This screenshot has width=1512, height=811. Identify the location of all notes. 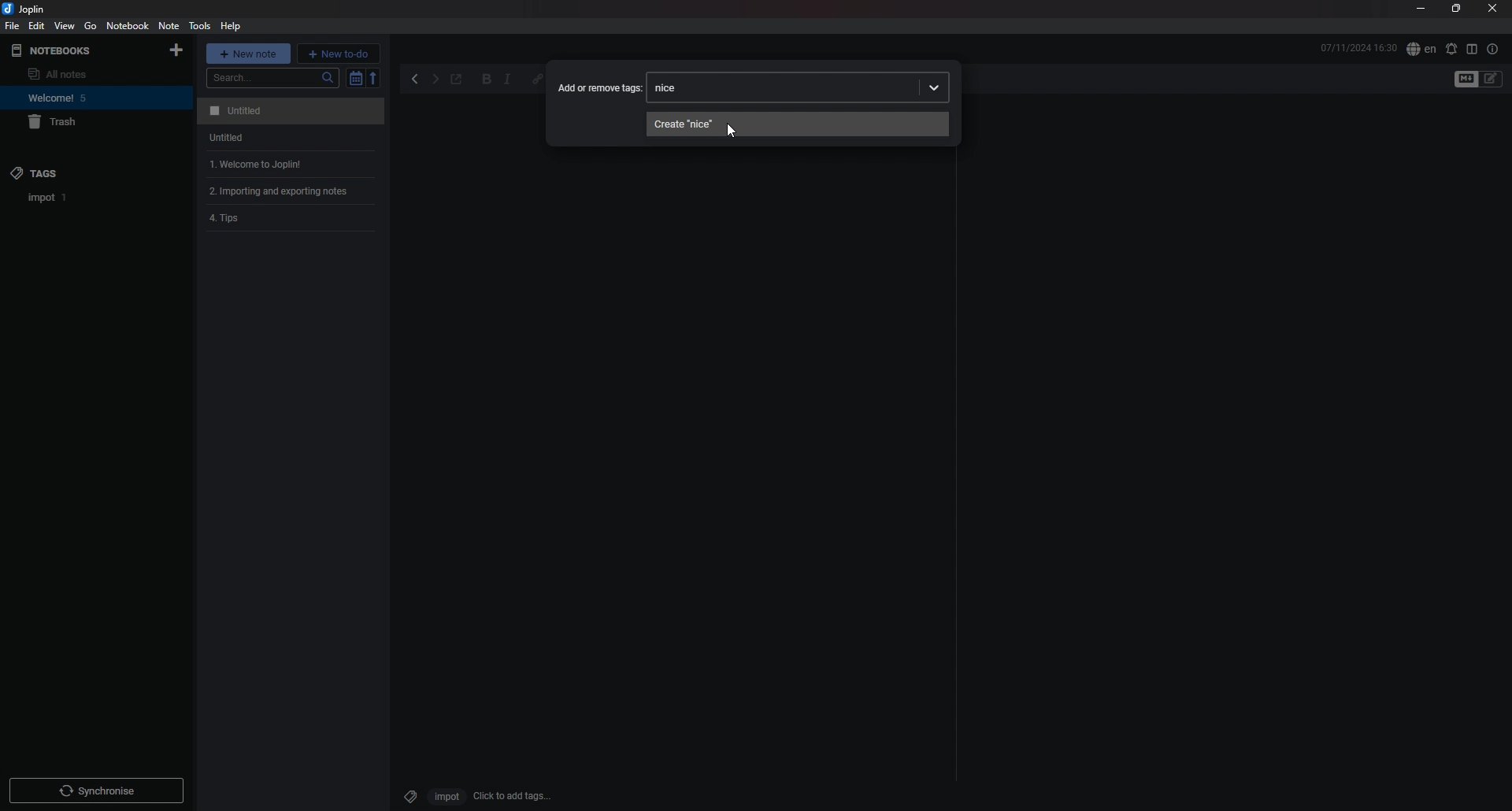
(76, 74).